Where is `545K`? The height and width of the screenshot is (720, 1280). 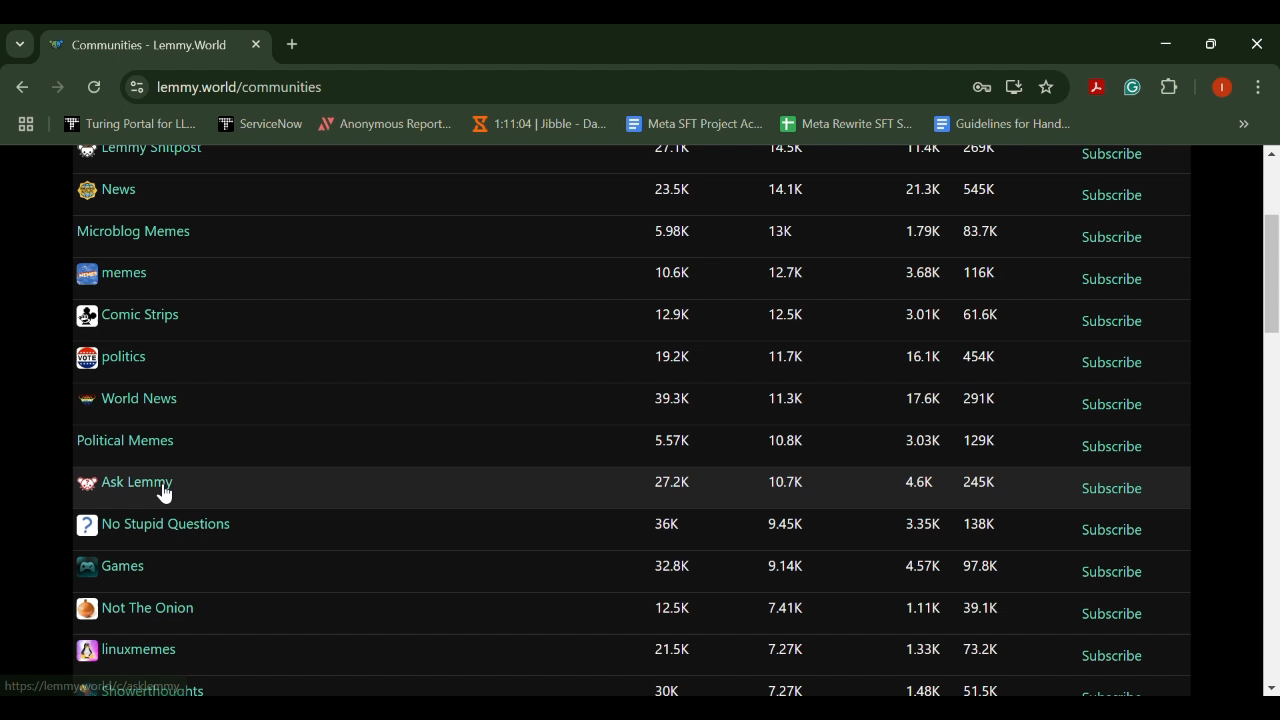 545K is located at coordinates (981, 190).